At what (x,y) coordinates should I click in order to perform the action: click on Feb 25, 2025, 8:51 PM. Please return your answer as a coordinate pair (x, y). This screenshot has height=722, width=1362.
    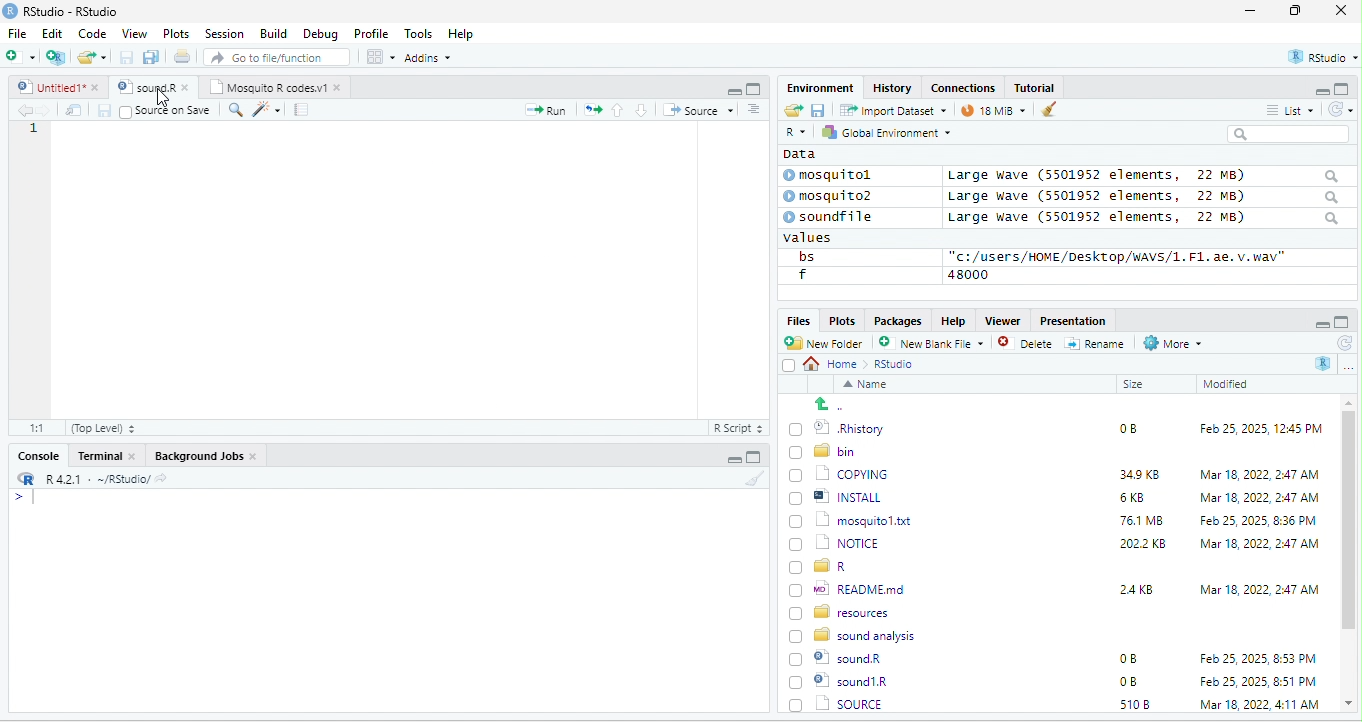
    Looking at the image, I should click on (1259, 659).